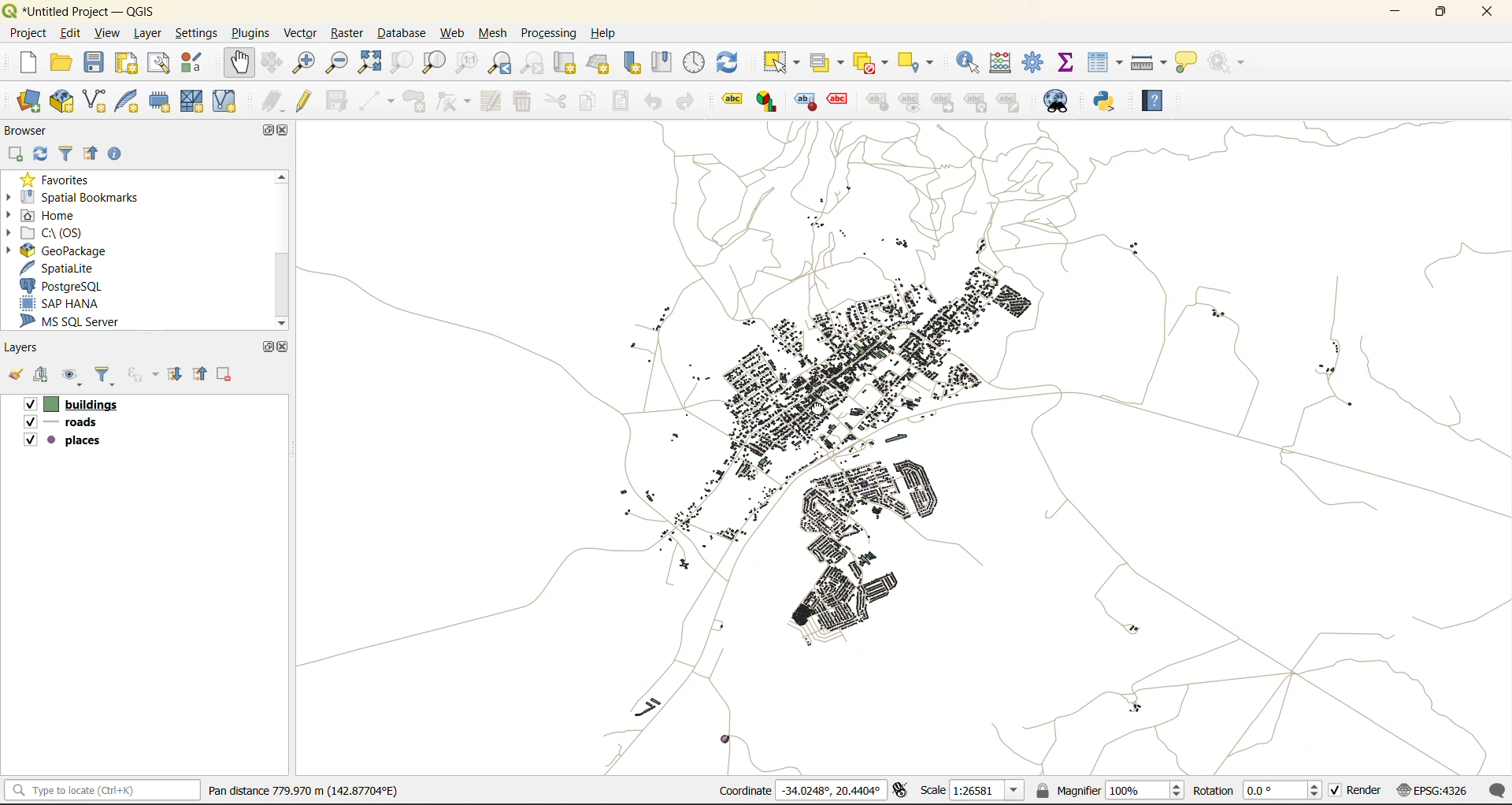  Describe the element at coordinates (490, 102) in the screenshot. I see `modify` at that location.